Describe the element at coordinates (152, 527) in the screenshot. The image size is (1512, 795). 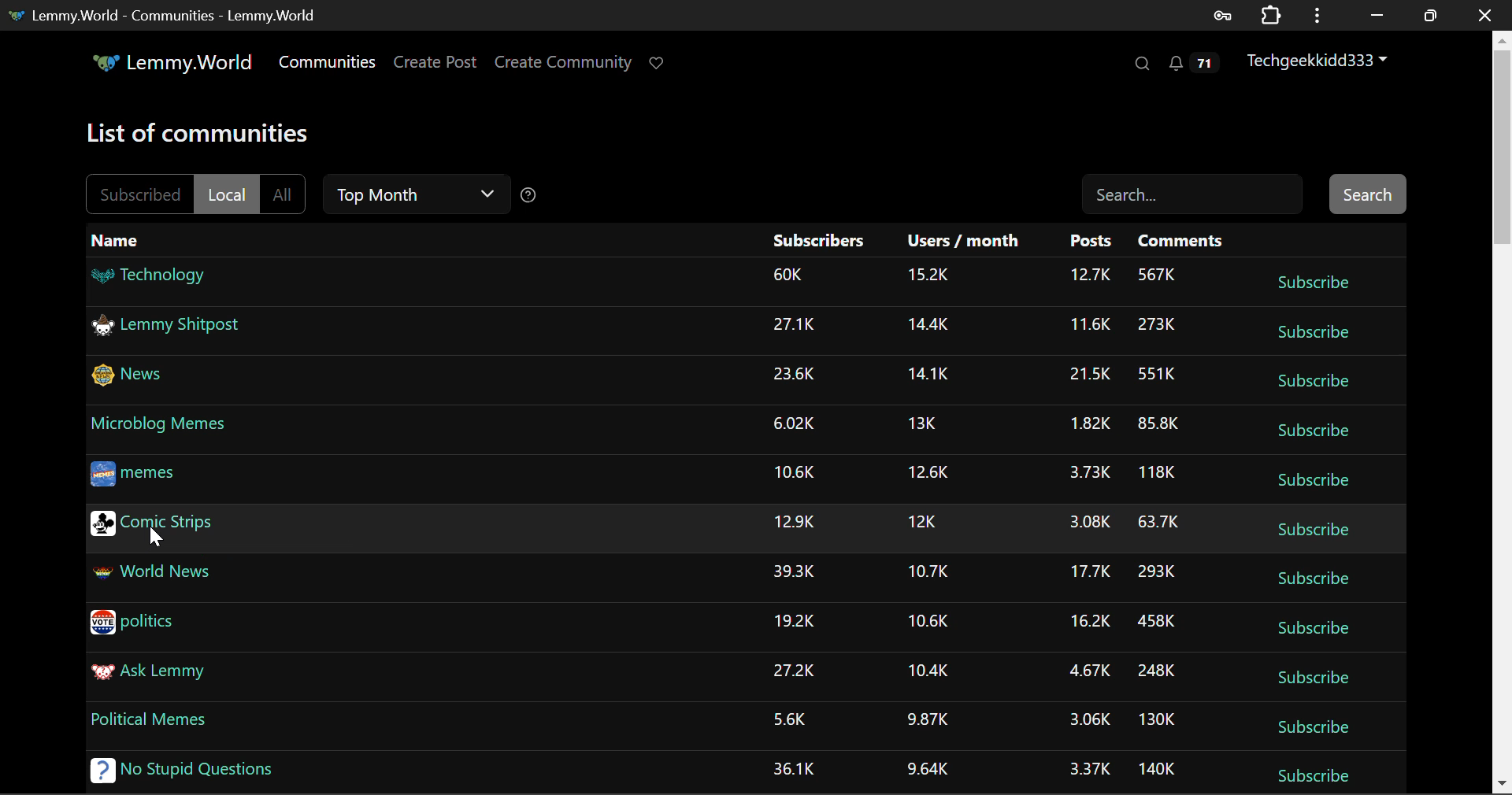
I see `Comic Strips` at that location.